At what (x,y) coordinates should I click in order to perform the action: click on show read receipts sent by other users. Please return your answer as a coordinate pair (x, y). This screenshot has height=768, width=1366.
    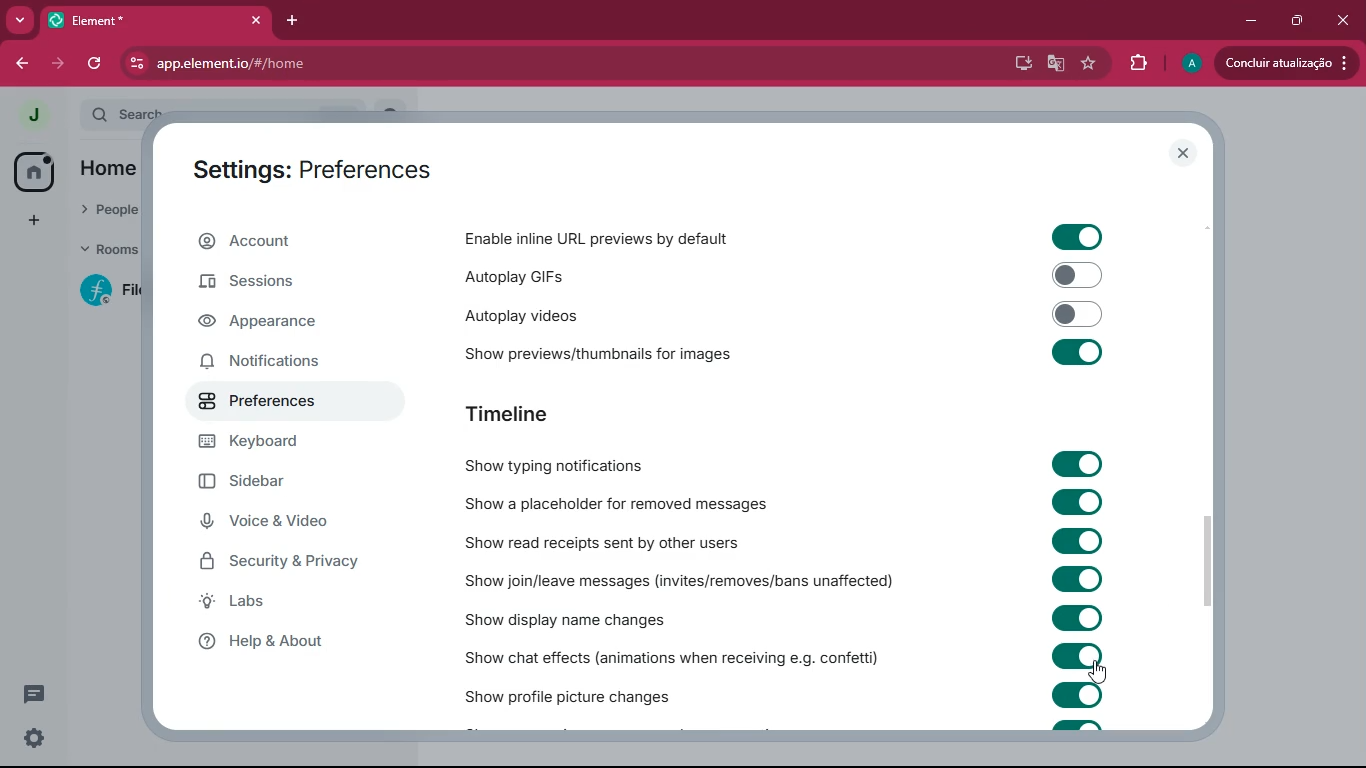
    Looking at the image, I should click on (616, 542).